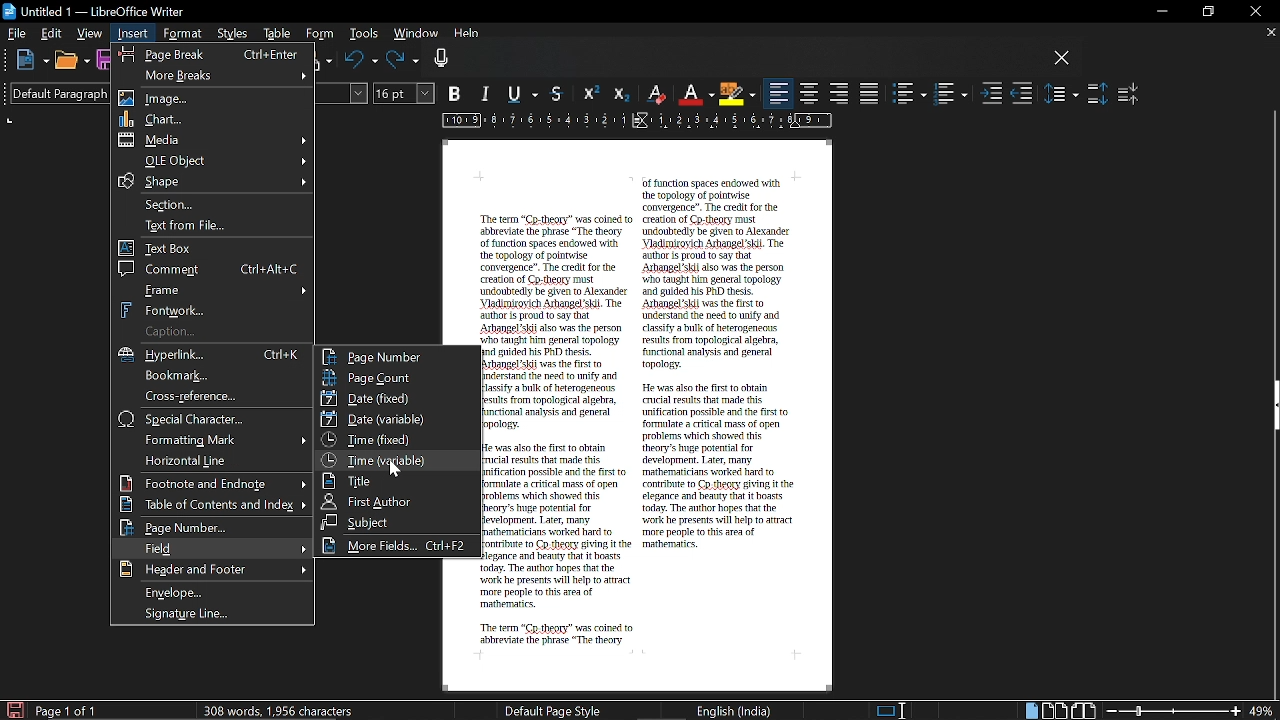 The height and width of the screenshot is (720, 1280). What do you see at coordinates (1174, 711) in the screenshot?
I see `Zoom change` at bounding box center [1174, 711].